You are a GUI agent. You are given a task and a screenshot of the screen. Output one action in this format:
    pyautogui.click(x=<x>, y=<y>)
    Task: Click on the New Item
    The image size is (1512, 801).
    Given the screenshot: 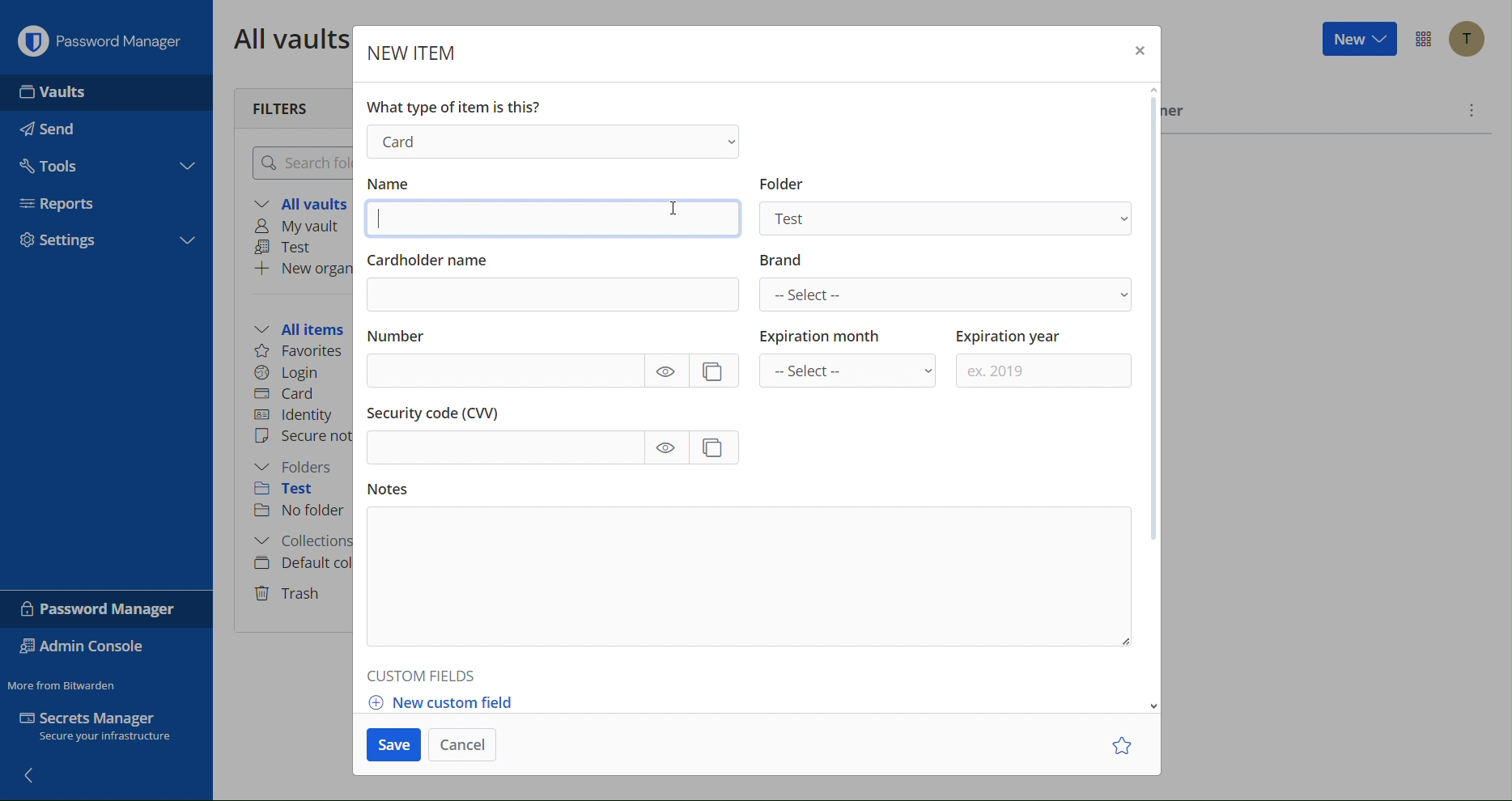 What is the action you would take?
    pyautogui.click(x=413, y=52)
    